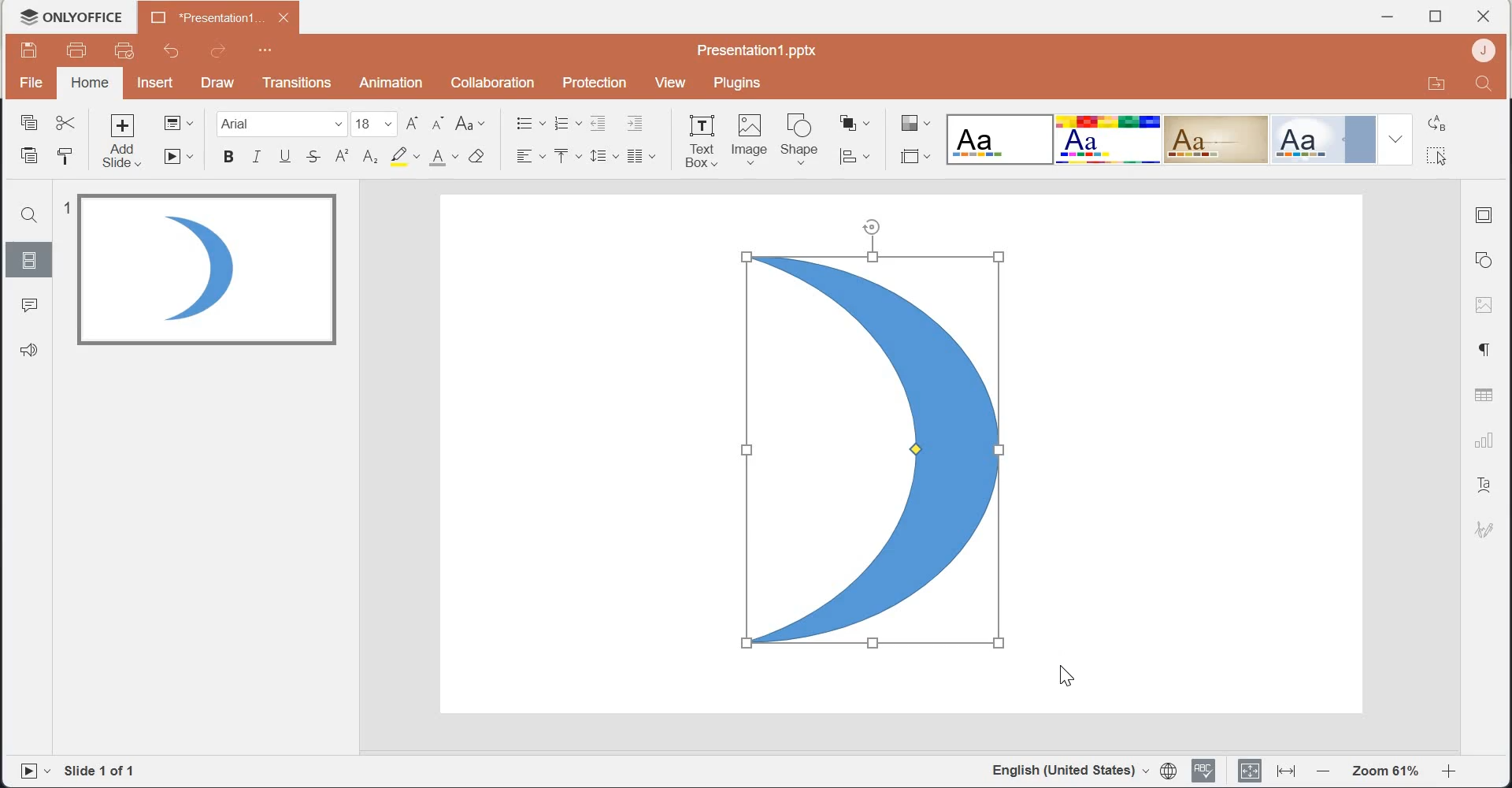 This screenshot has width=1512, height=788. What do you see at coordinates (29, 122) in the screenshot?
I see `Copy` at bounding box center [29, 122].